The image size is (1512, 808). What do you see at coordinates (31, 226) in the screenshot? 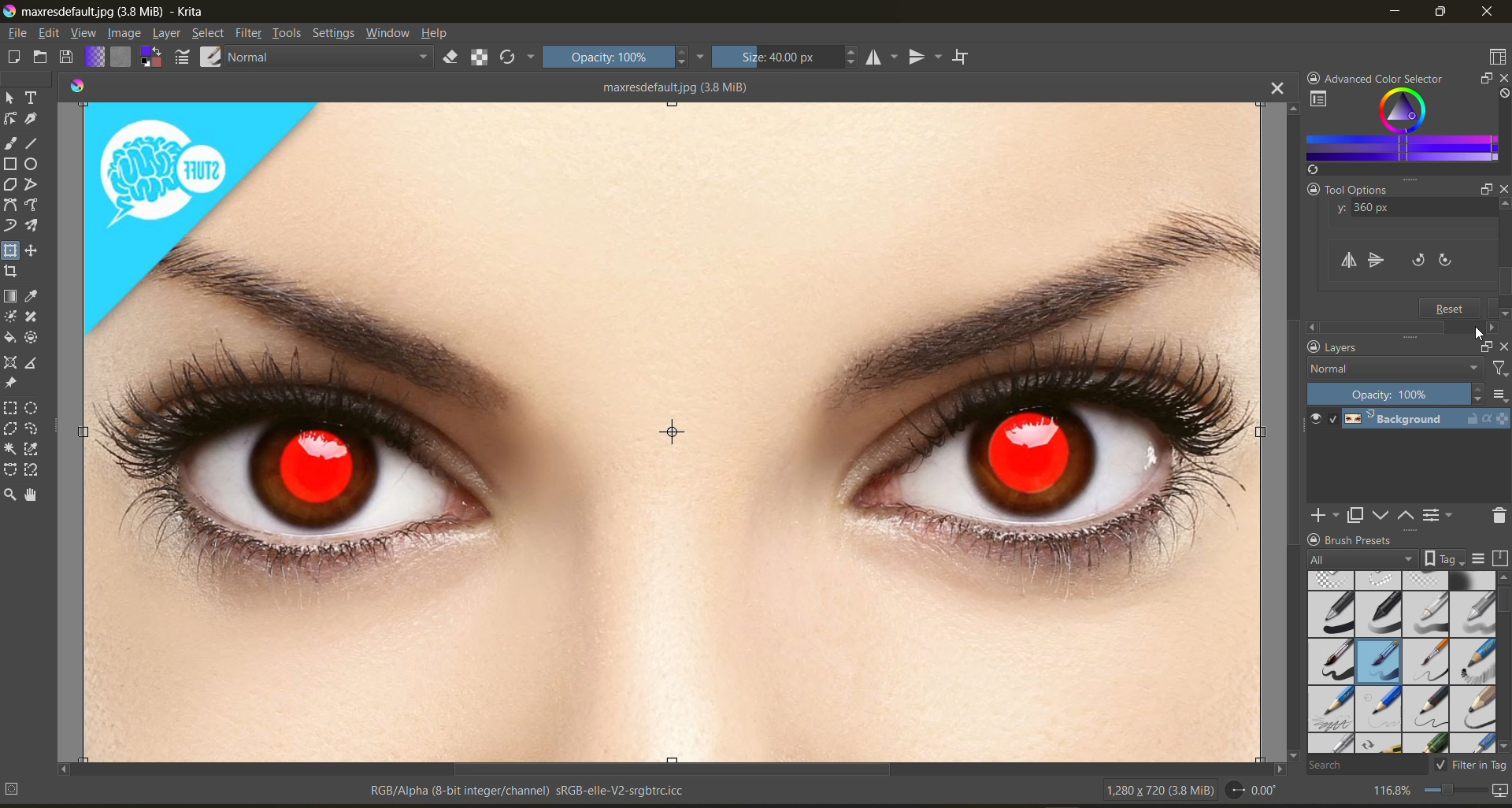
I see `tool` at bounding box center [31, 226].